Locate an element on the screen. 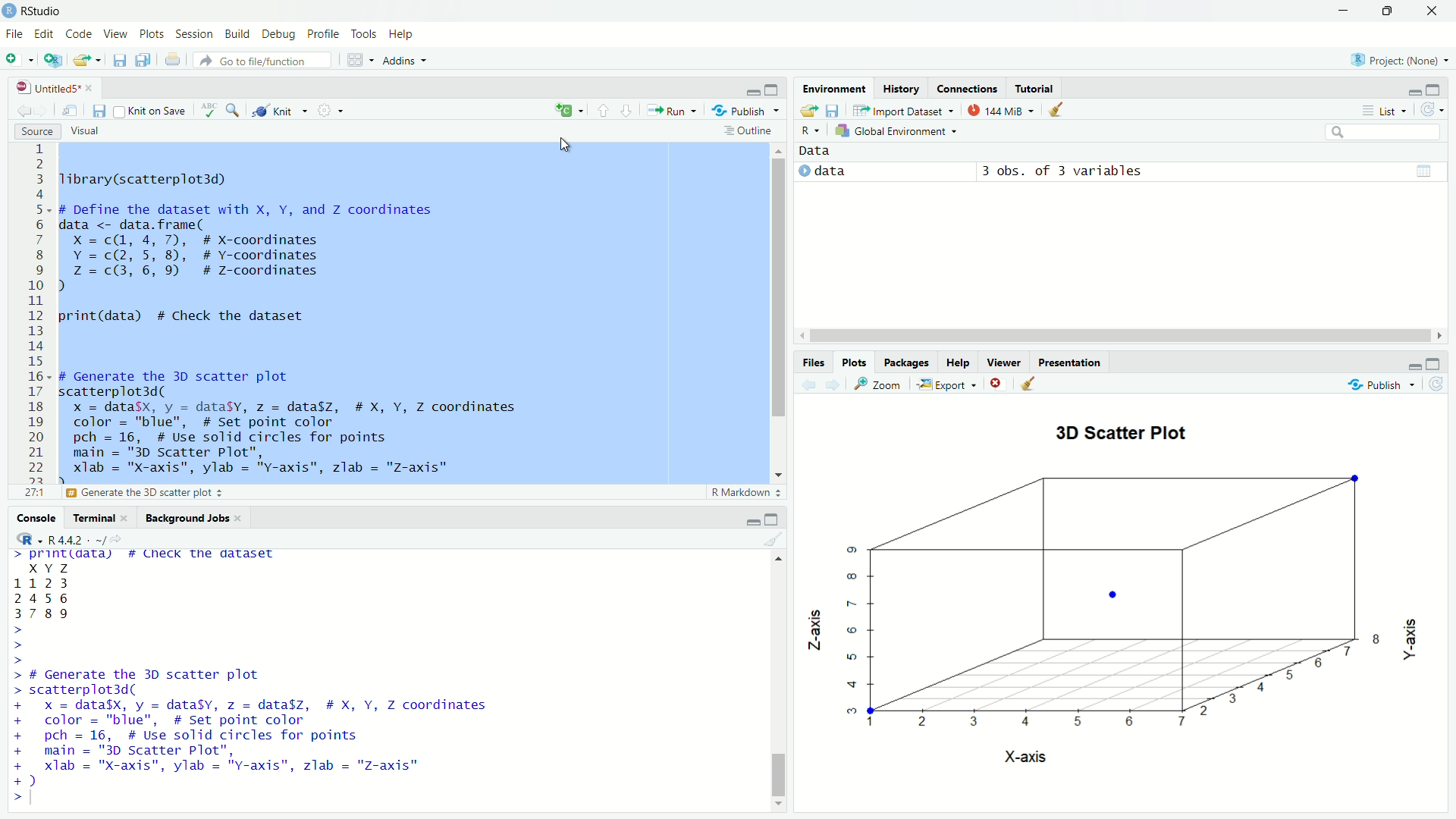 This screenshot has width=1456, height=819. move bottom is located at coordinates (778, 804).